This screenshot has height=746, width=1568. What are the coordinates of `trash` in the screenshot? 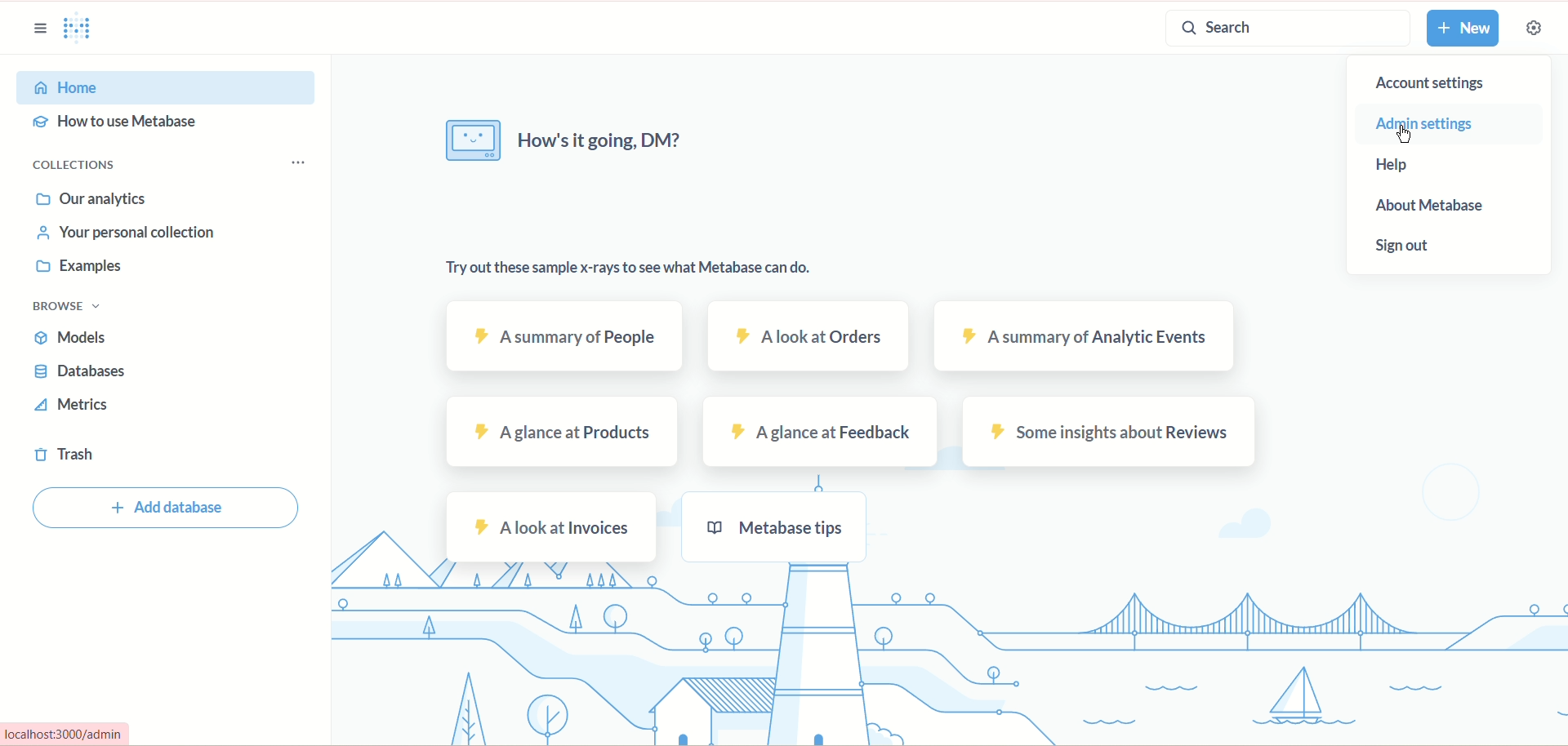 It's located at (65, 452).